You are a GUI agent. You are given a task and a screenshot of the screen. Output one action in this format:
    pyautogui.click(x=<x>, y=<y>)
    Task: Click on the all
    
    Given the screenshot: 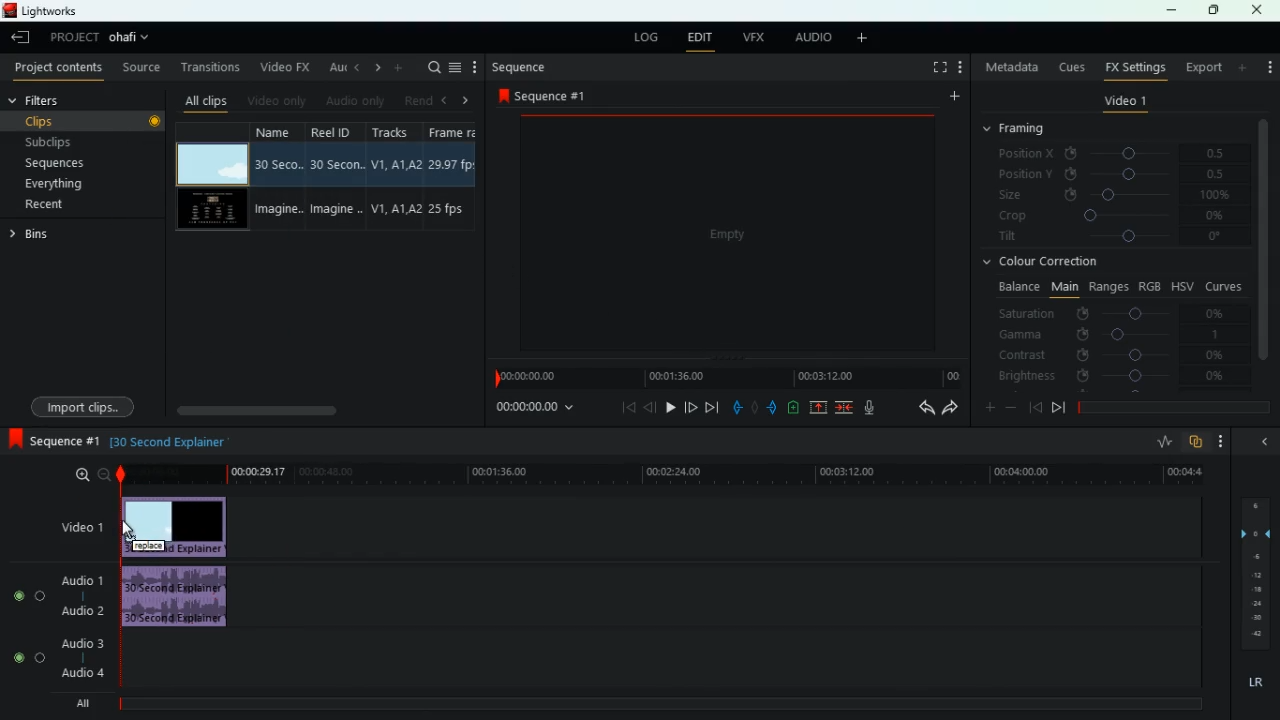 What is the action you would take?
    pyautogui.click(x=90, y=703)
    